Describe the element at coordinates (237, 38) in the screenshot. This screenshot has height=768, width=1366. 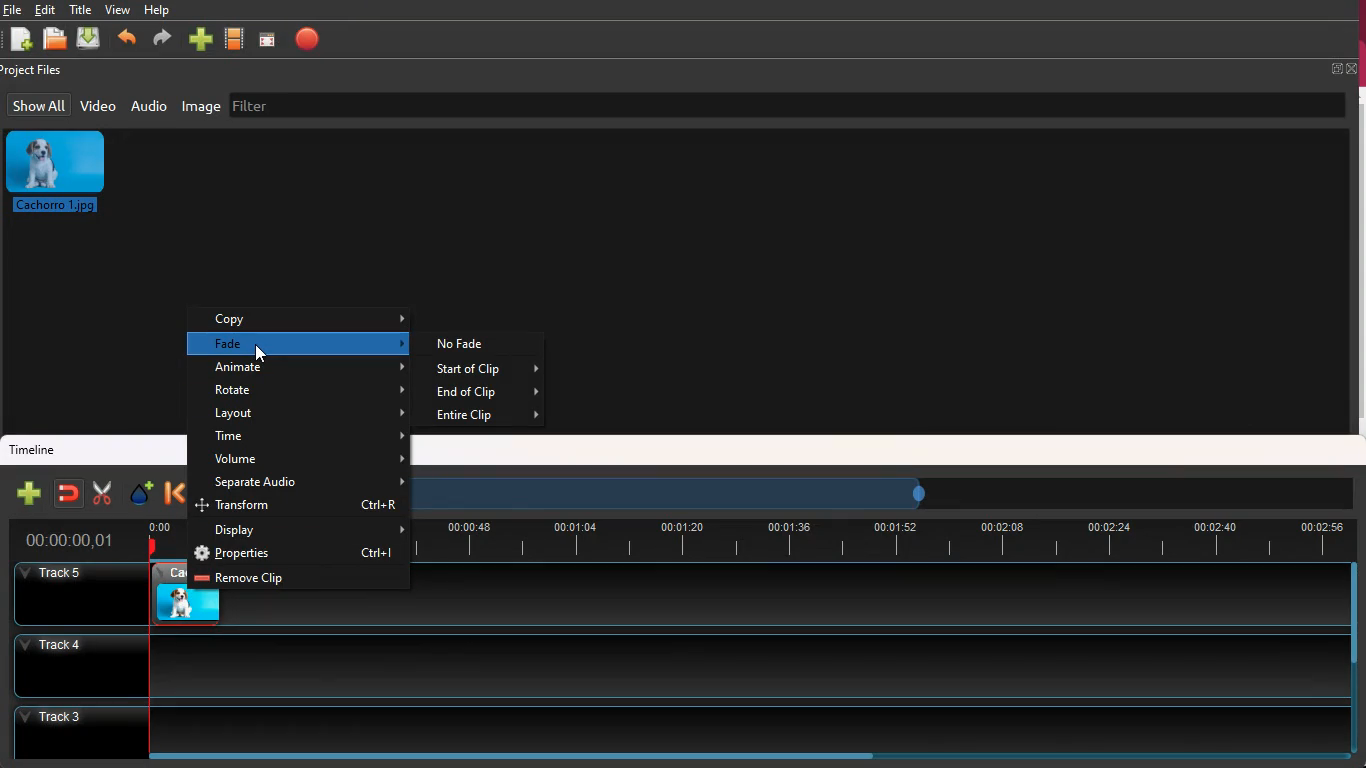
I see `movie` at that location.